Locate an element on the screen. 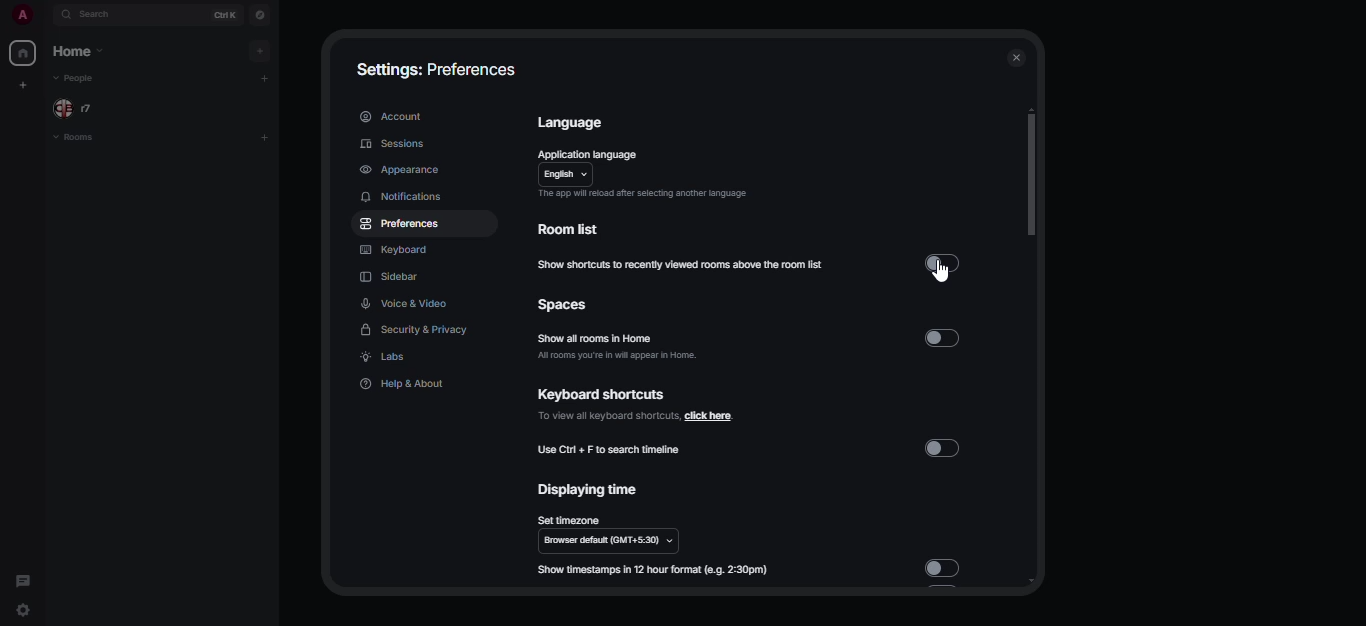 Image resolution: width=1366 pixels, height=626 pixels. show timestamp is located at coordinates (653, 570).